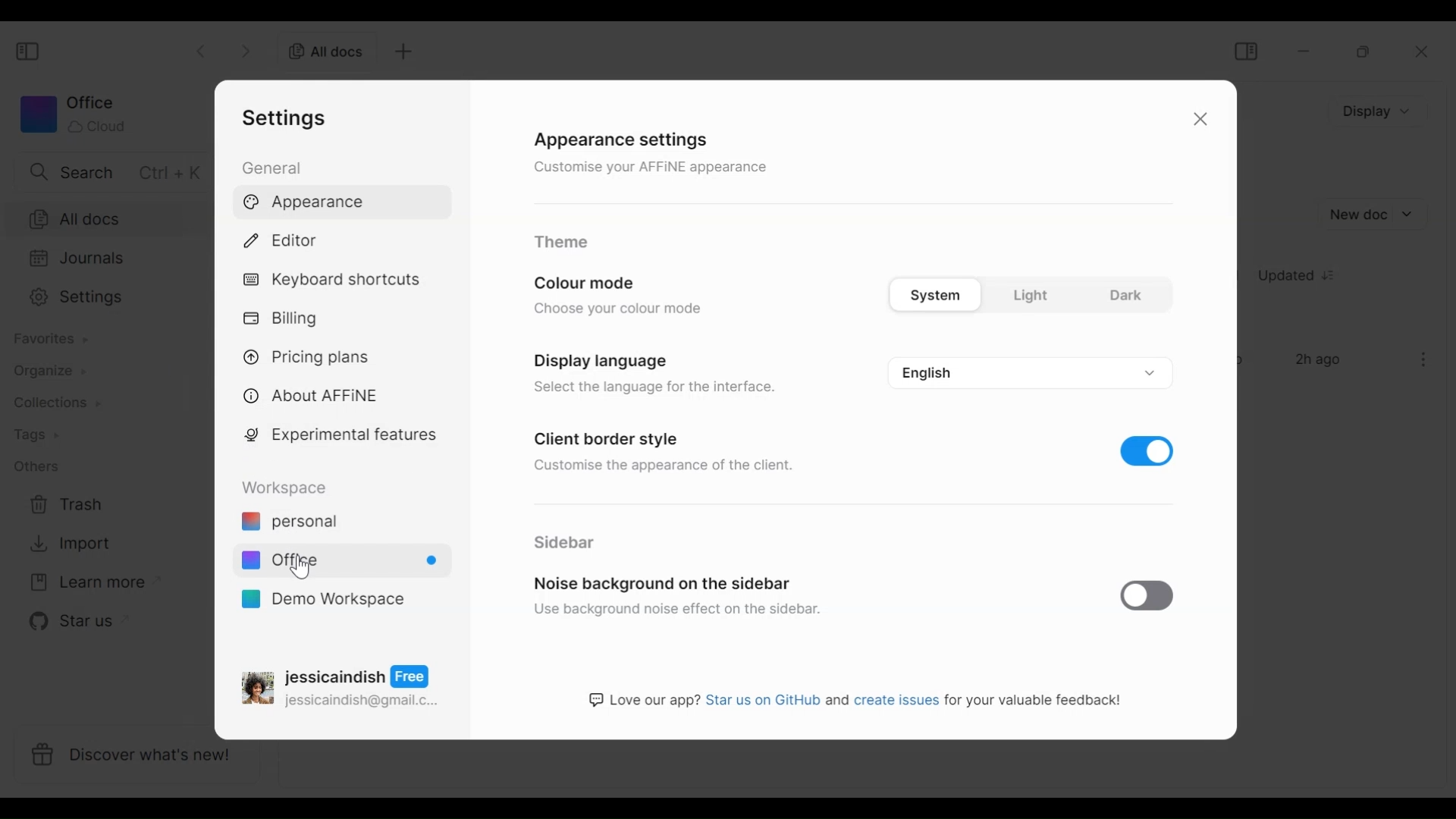 This screenshot has width=1456, height=819. What do you see at coordinates (284, 319) in the screenshot?
I see `Biling` at bounding box center [284, 319].